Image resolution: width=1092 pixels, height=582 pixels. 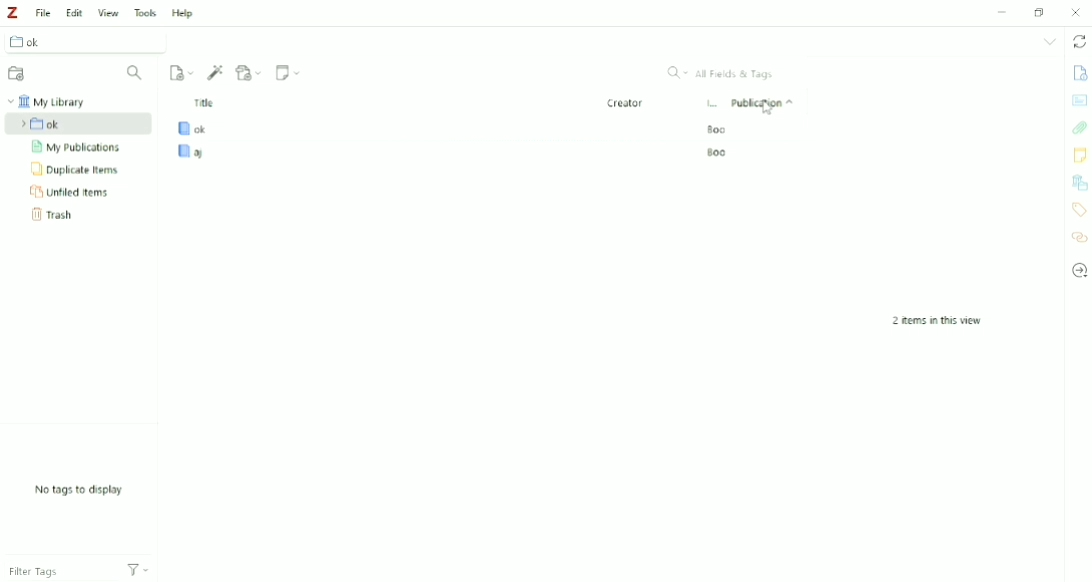 What do you see at coordinates (181, 73) in the screenshot?
I see `New Item` at bounding box center [181, 73].